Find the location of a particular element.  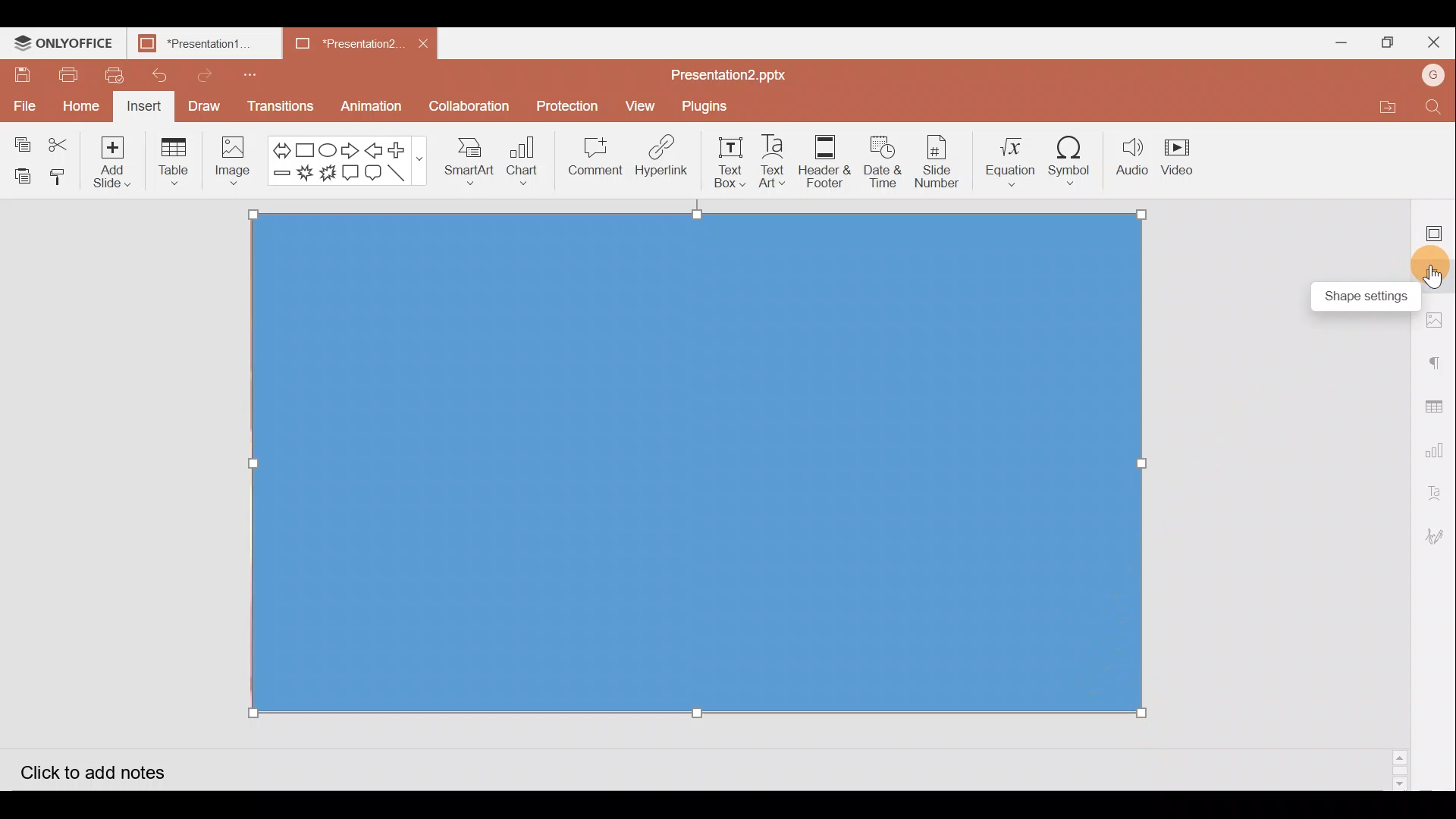

Plus is located at coordinates (402, 150).